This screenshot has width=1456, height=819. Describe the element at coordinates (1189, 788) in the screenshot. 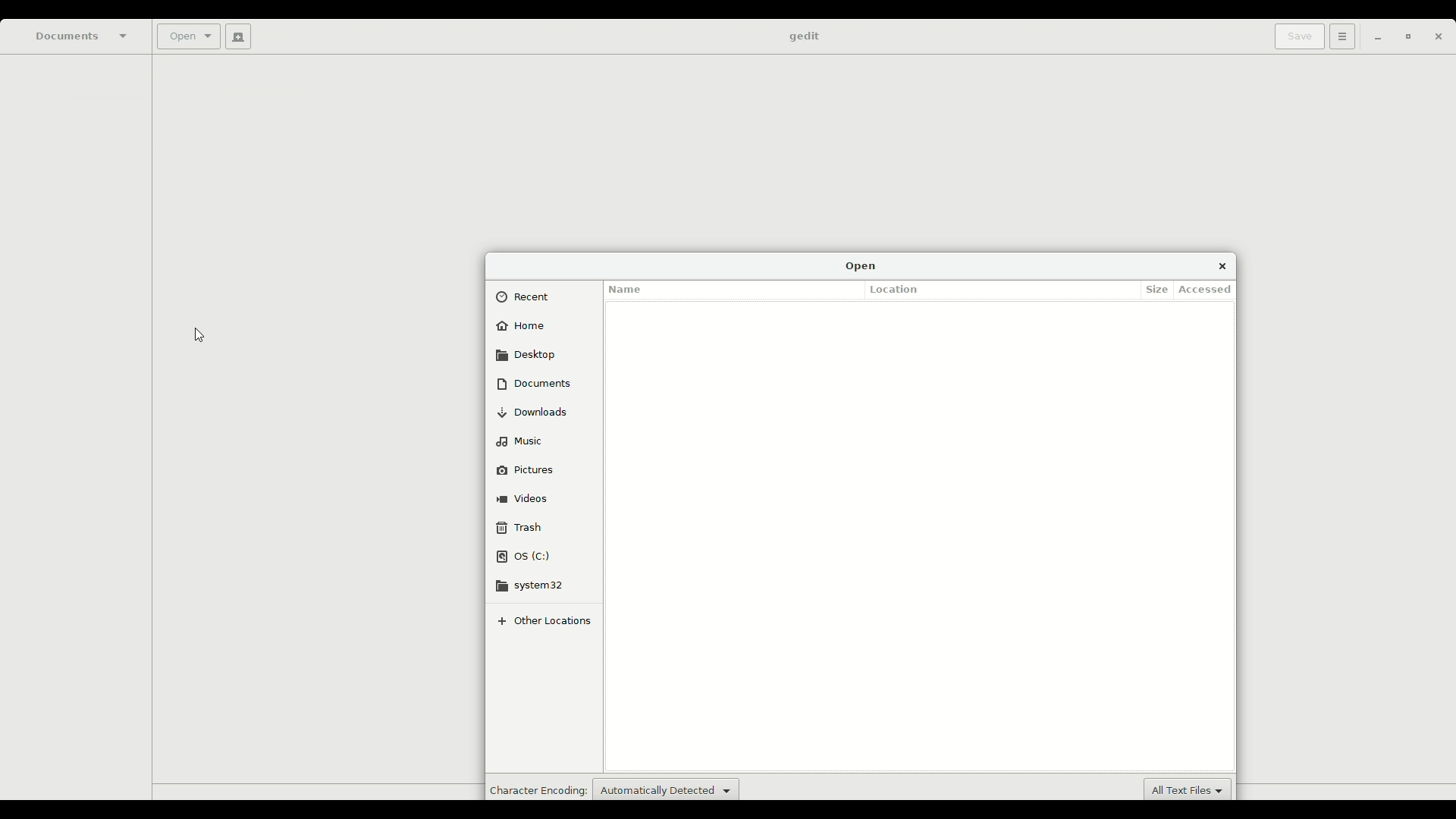

I see `New default extension` at that location.